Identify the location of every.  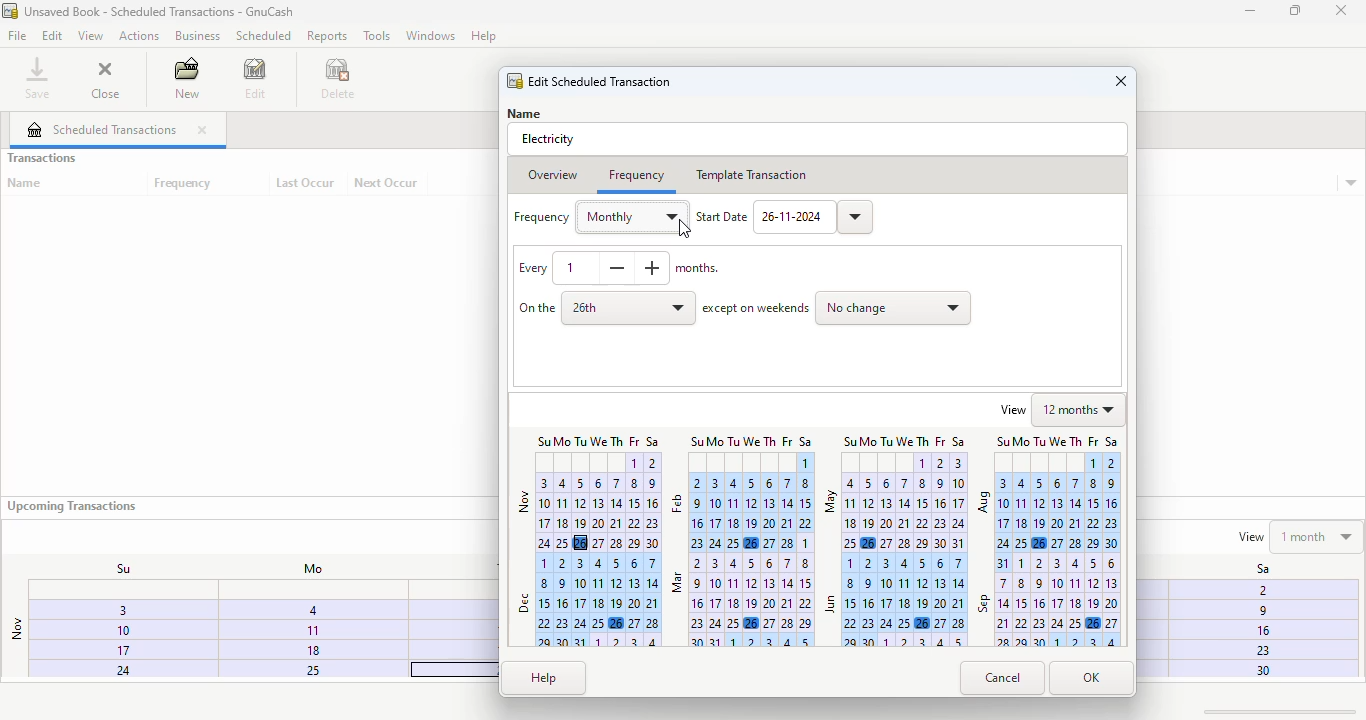
(532, 268).